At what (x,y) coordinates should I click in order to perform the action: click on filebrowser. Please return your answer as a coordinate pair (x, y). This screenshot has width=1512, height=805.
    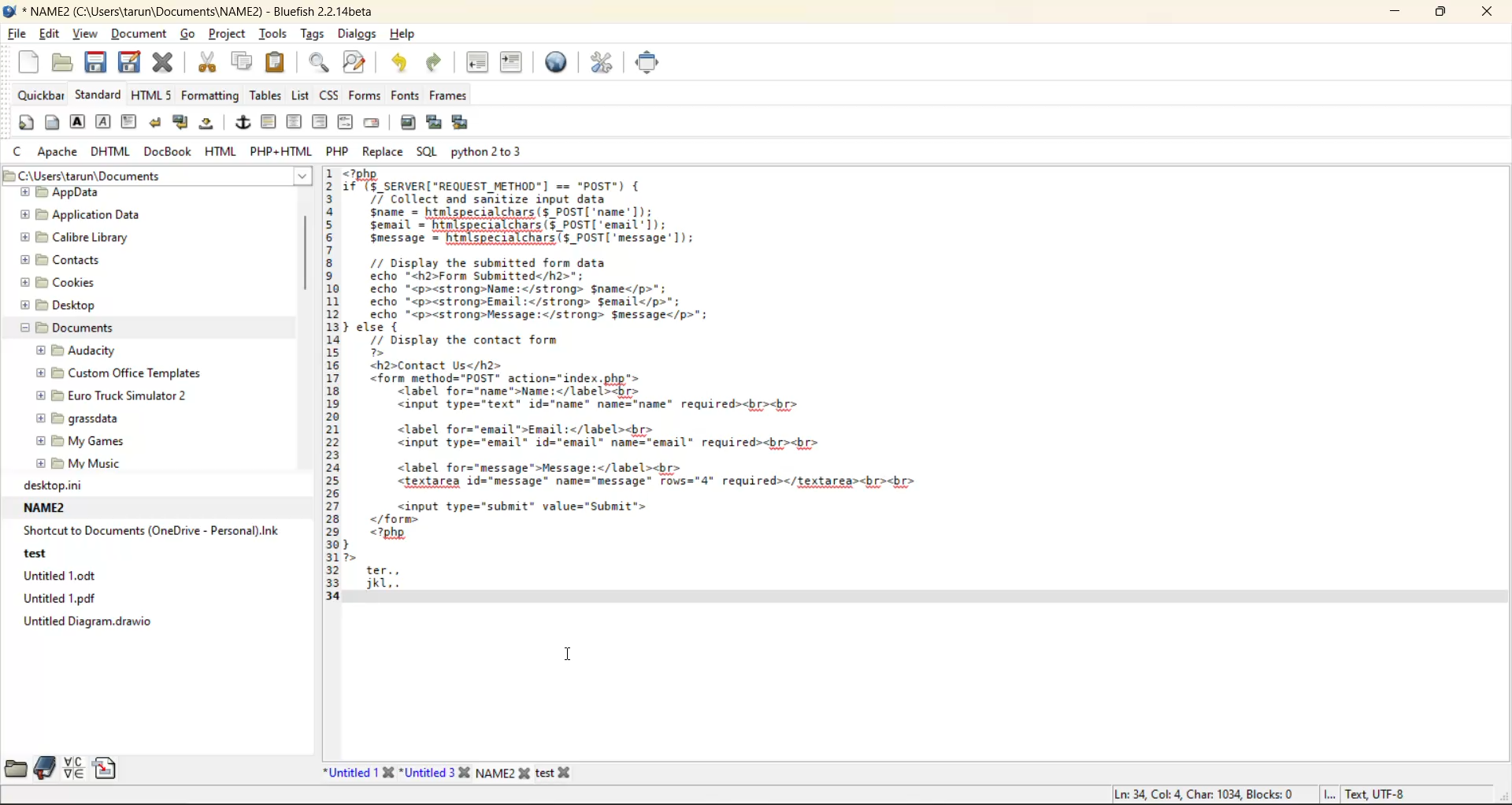
    Looking at the image, I should click on (17, 770).